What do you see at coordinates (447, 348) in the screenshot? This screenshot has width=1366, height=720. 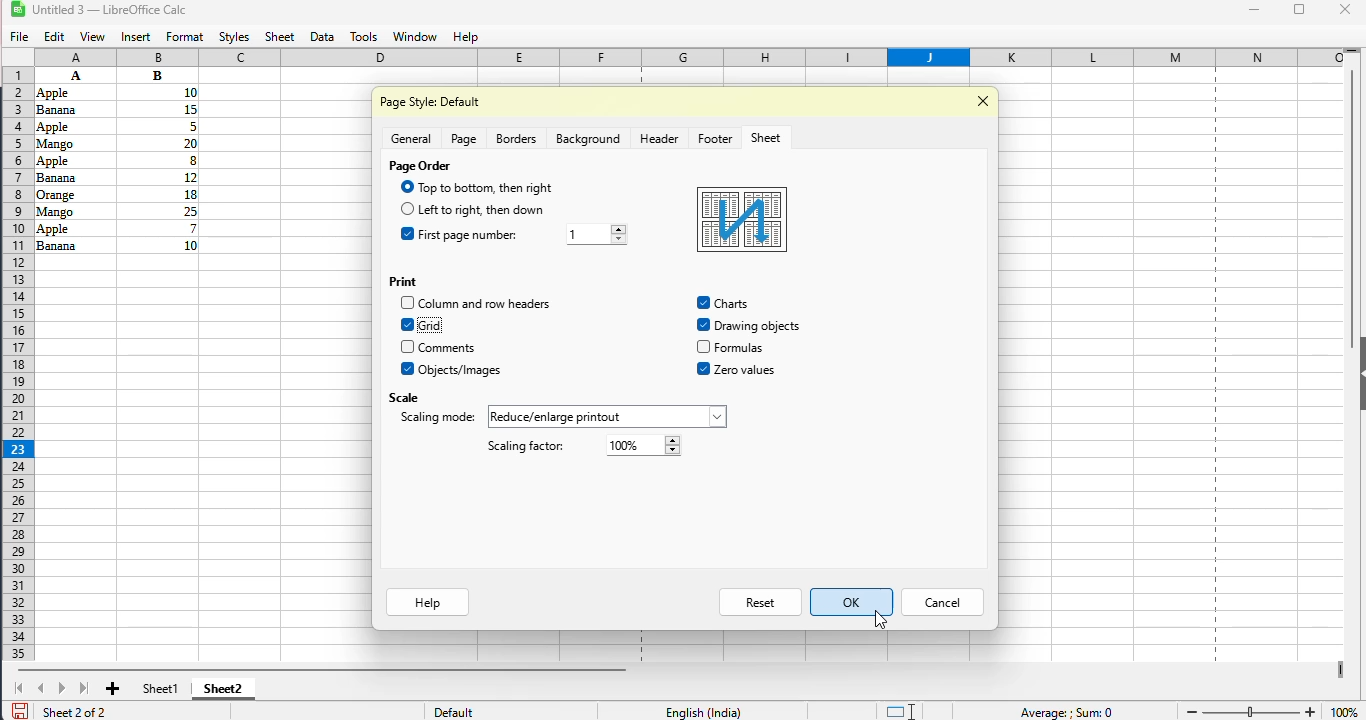 I see `comments` at bounding box center [447, 348].